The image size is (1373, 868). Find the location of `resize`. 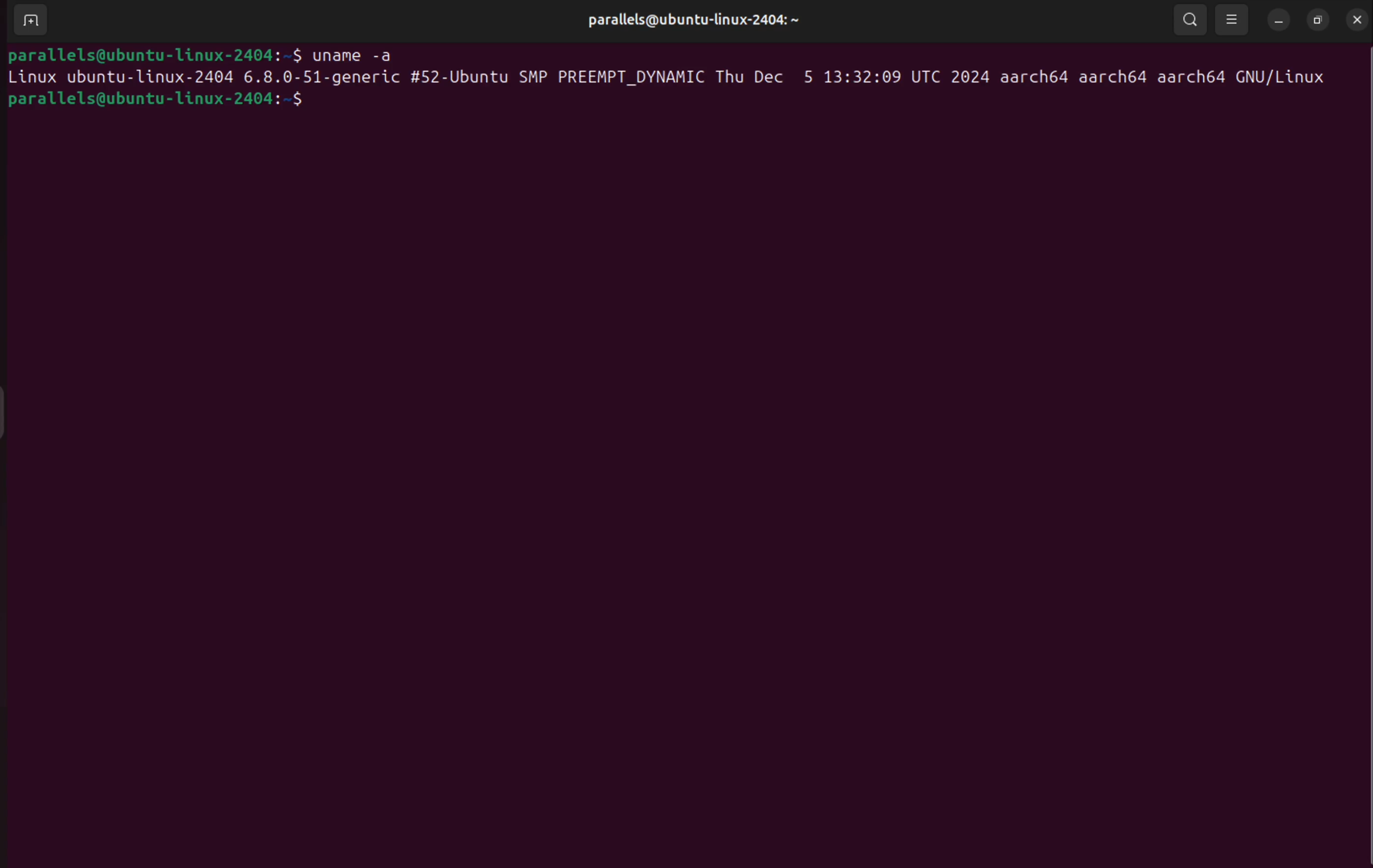

resize is located at coordinates (1318, 19).